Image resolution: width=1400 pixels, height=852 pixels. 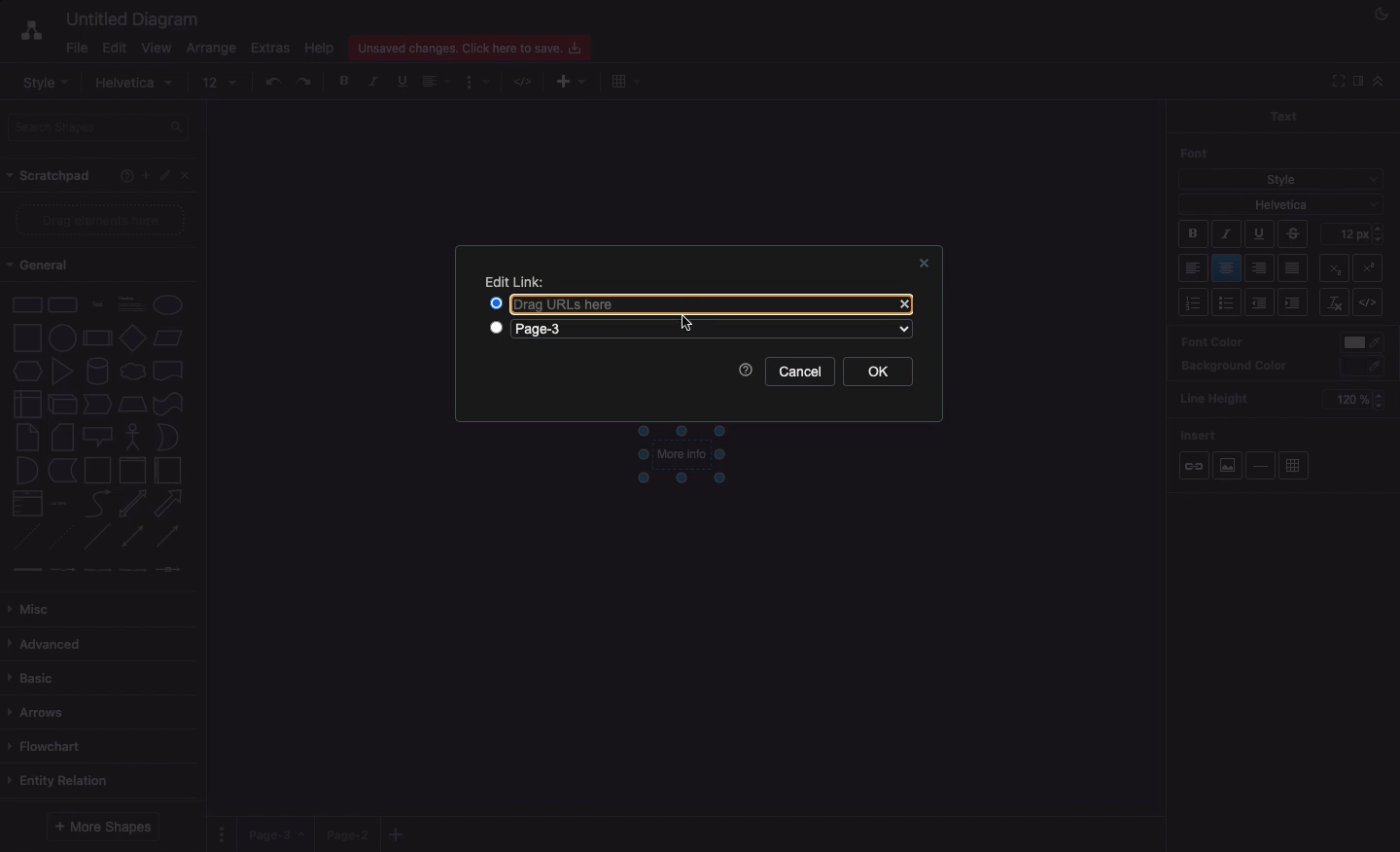 What do you see at coordinates (145, 174) in the screenshot?
I see `Add` at bounding box center [145, 174].